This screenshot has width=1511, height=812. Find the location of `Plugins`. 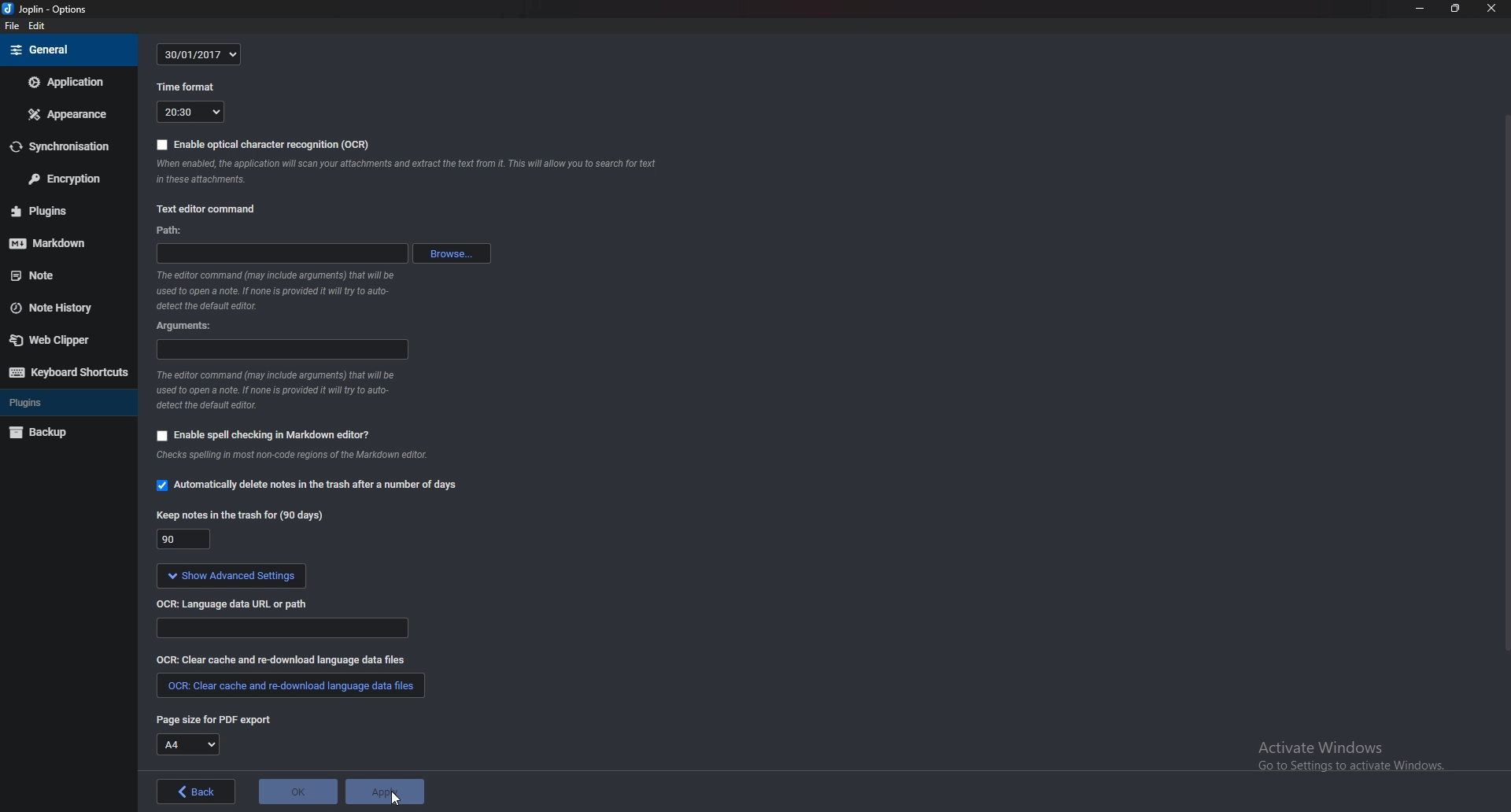

Plugins is located at coordinates (48, 212).